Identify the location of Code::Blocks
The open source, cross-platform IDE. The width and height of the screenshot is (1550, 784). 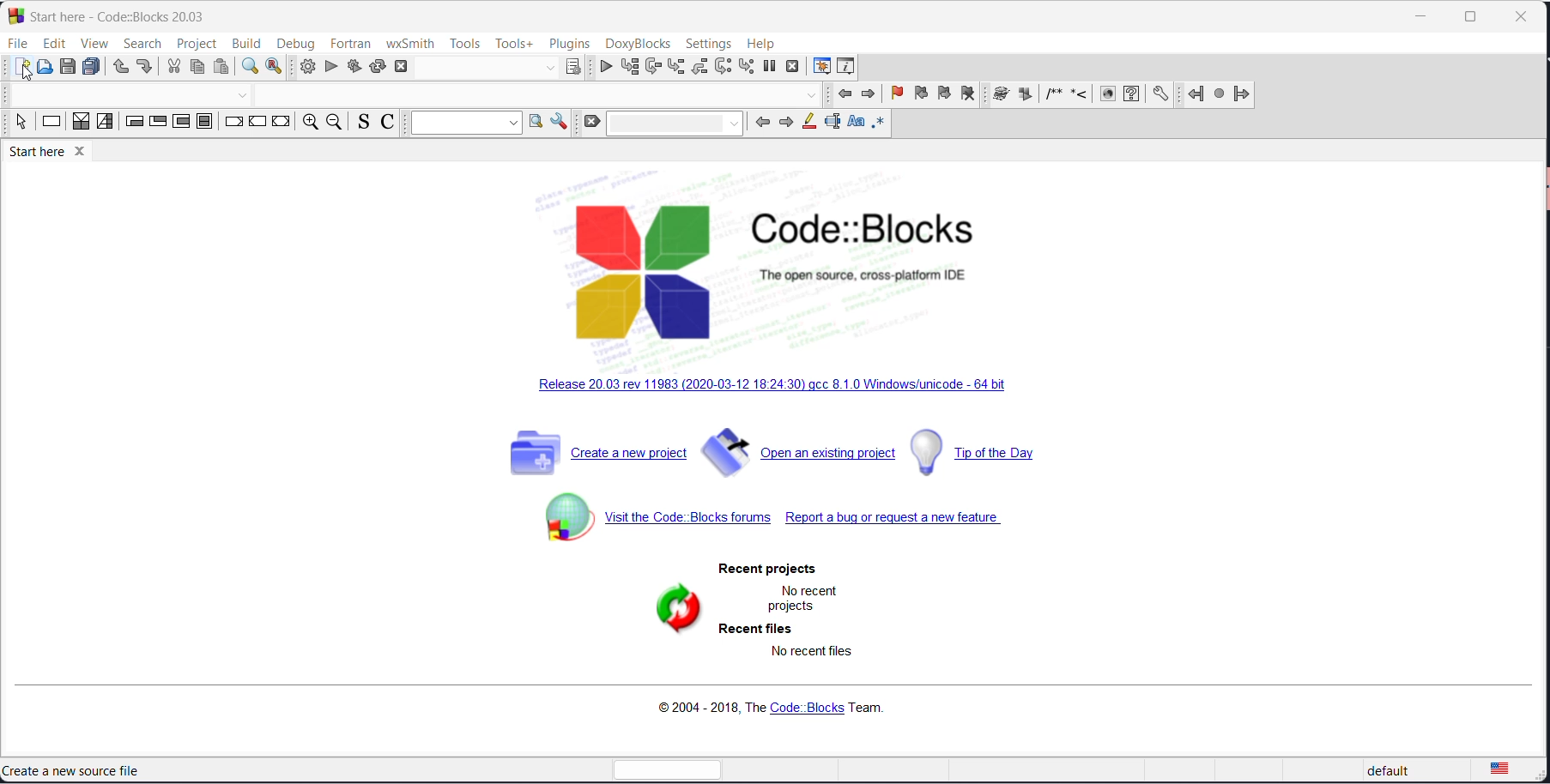
(773, 273).